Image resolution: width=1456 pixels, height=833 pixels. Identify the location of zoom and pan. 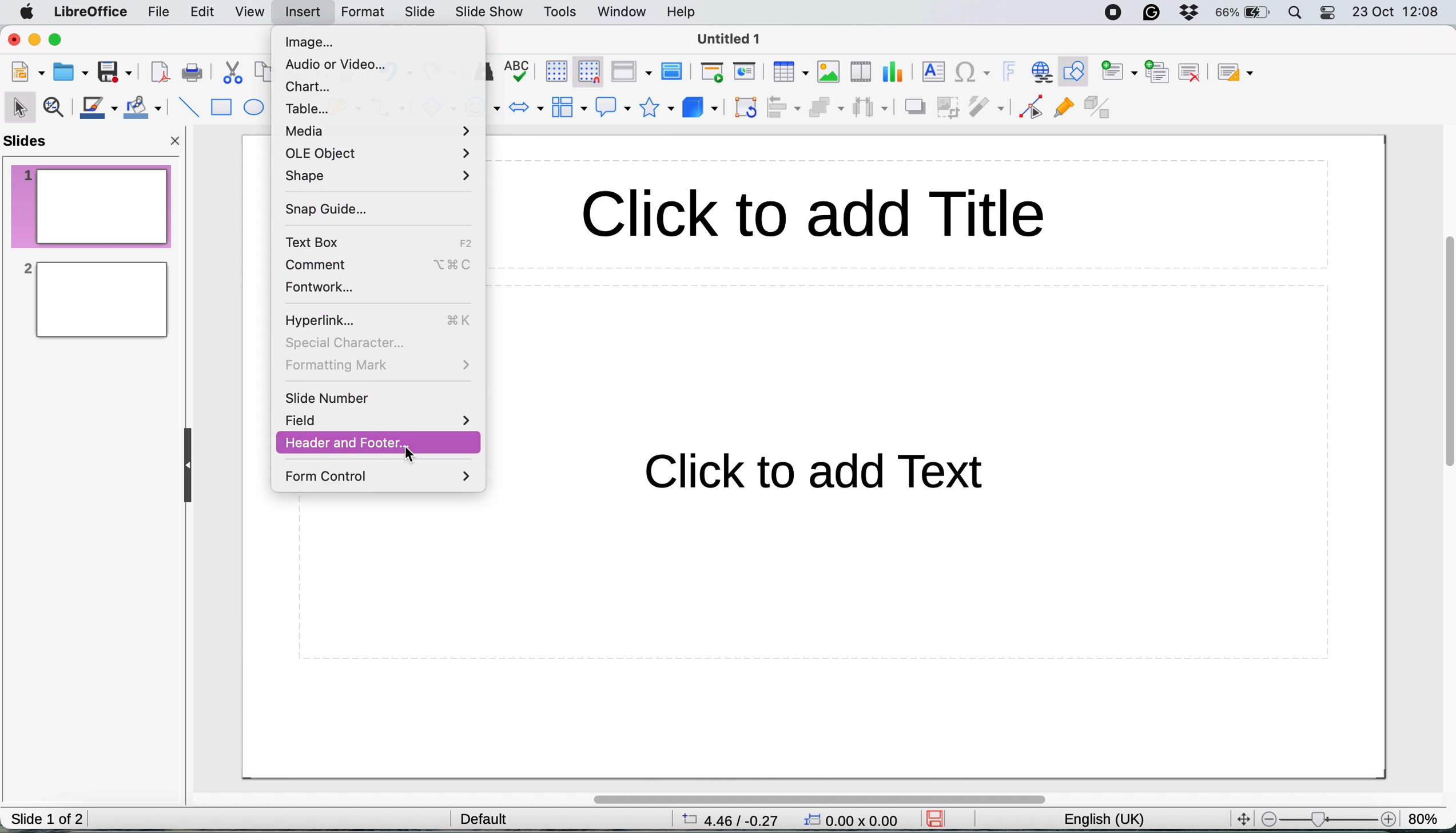
(56, 109).